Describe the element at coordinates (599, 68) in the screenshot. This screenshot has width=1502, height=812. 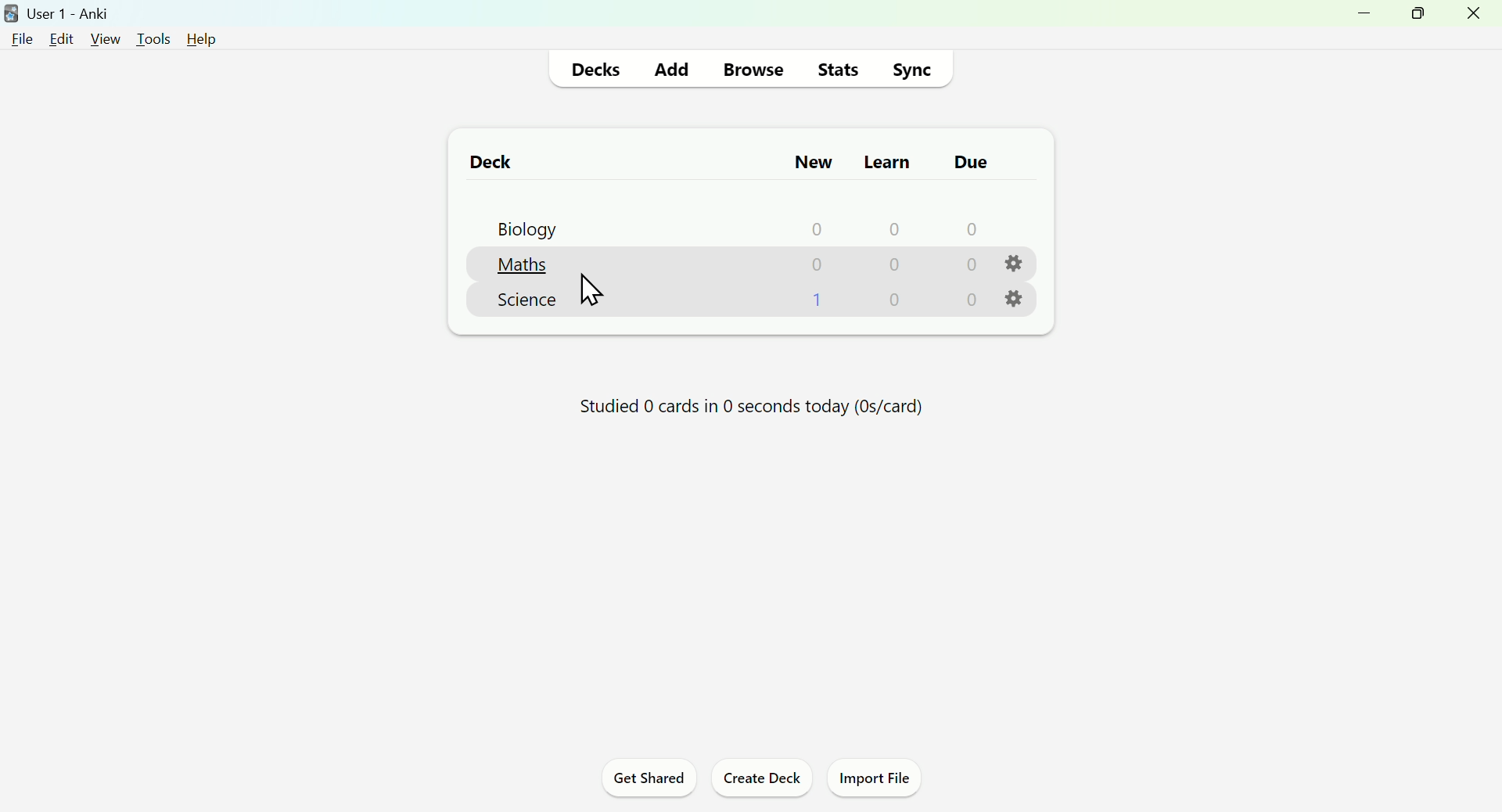
I see `Decks` at that location.